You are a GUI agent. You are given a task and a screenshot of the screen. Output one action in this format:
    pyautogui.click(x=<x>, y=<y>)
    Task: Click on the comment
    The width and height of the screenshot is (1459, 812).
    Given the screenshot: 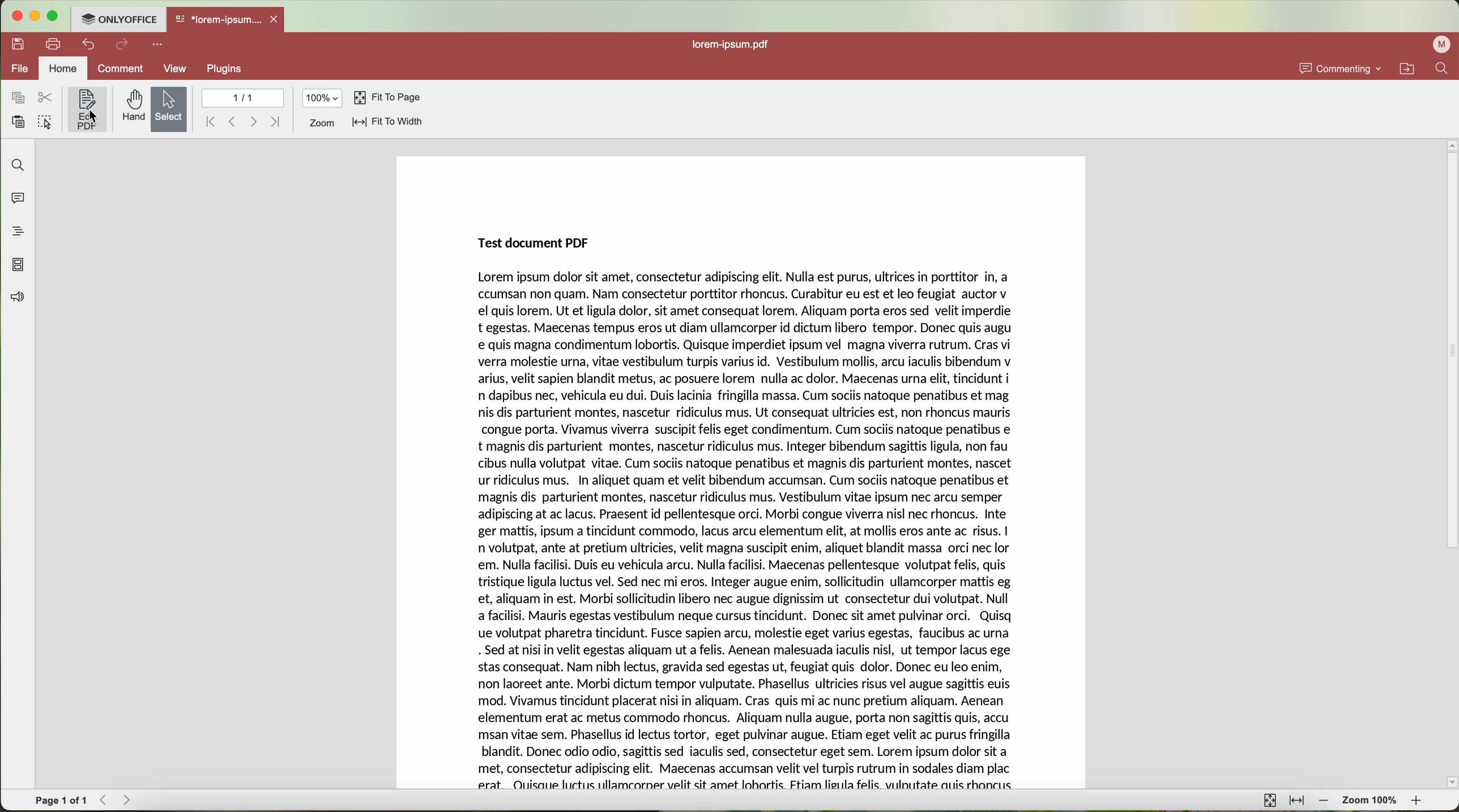 What is the action you would take?
    pyautogui.click(x=120, y=70)
    